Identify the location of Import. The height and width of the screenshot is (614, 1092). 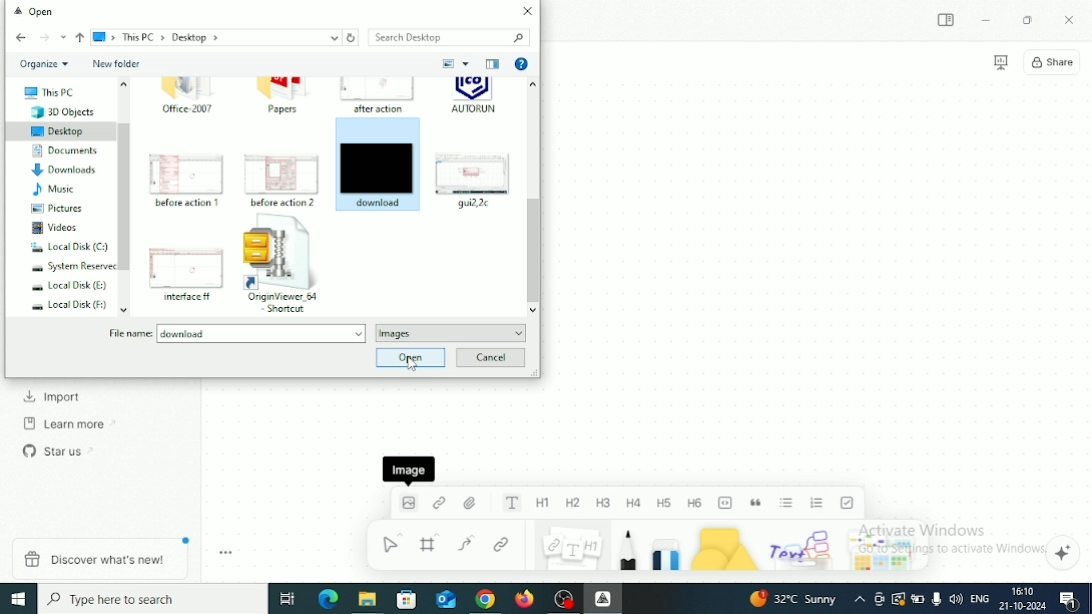
(53, 397).